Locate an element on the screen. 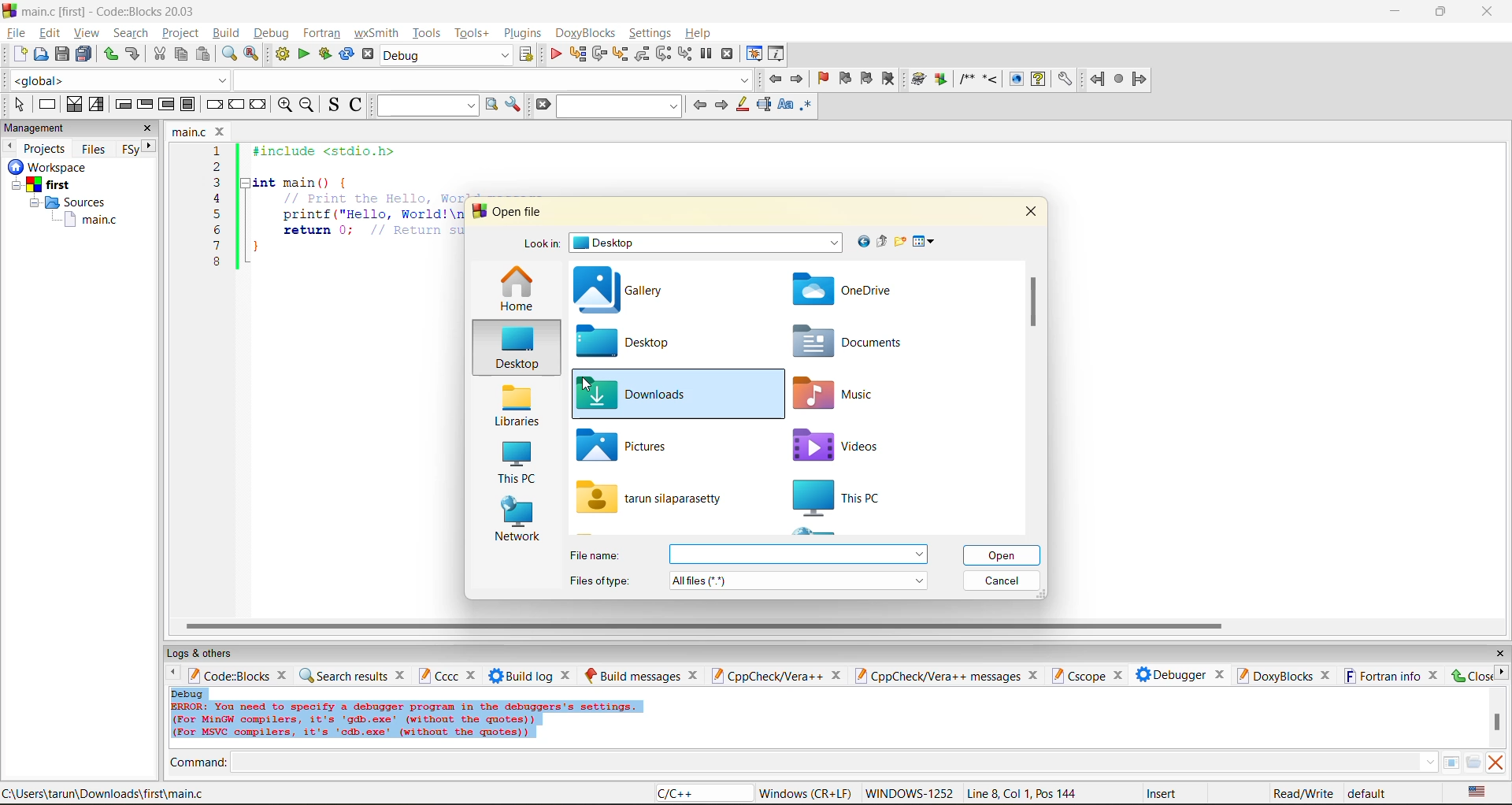 The height and width of the screenshot is (805, 1512). instruction is located at coordinates (46, 105).